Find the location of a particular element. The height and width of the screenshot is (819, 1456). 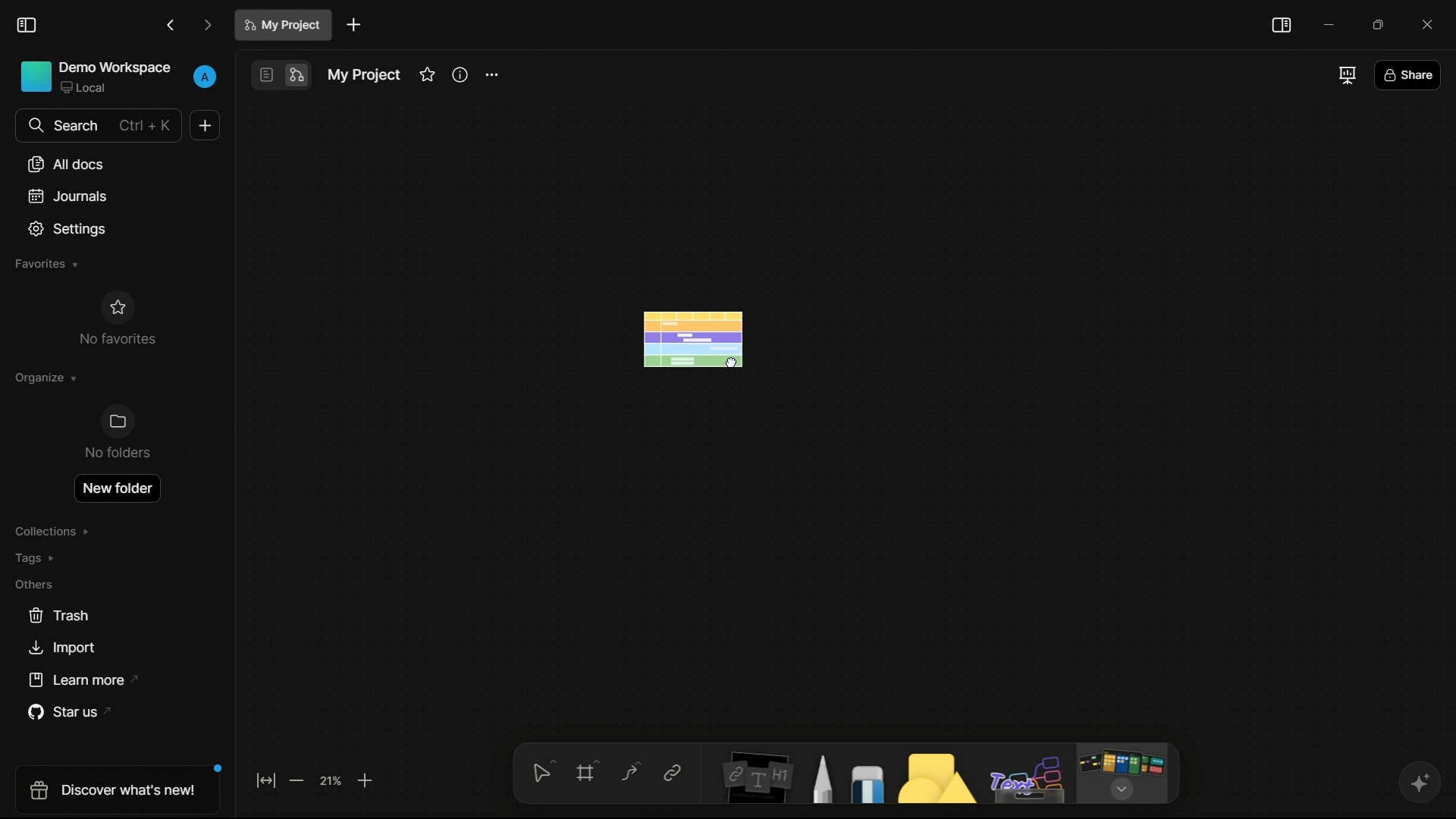

no folders is located at coordinates (117, 435).